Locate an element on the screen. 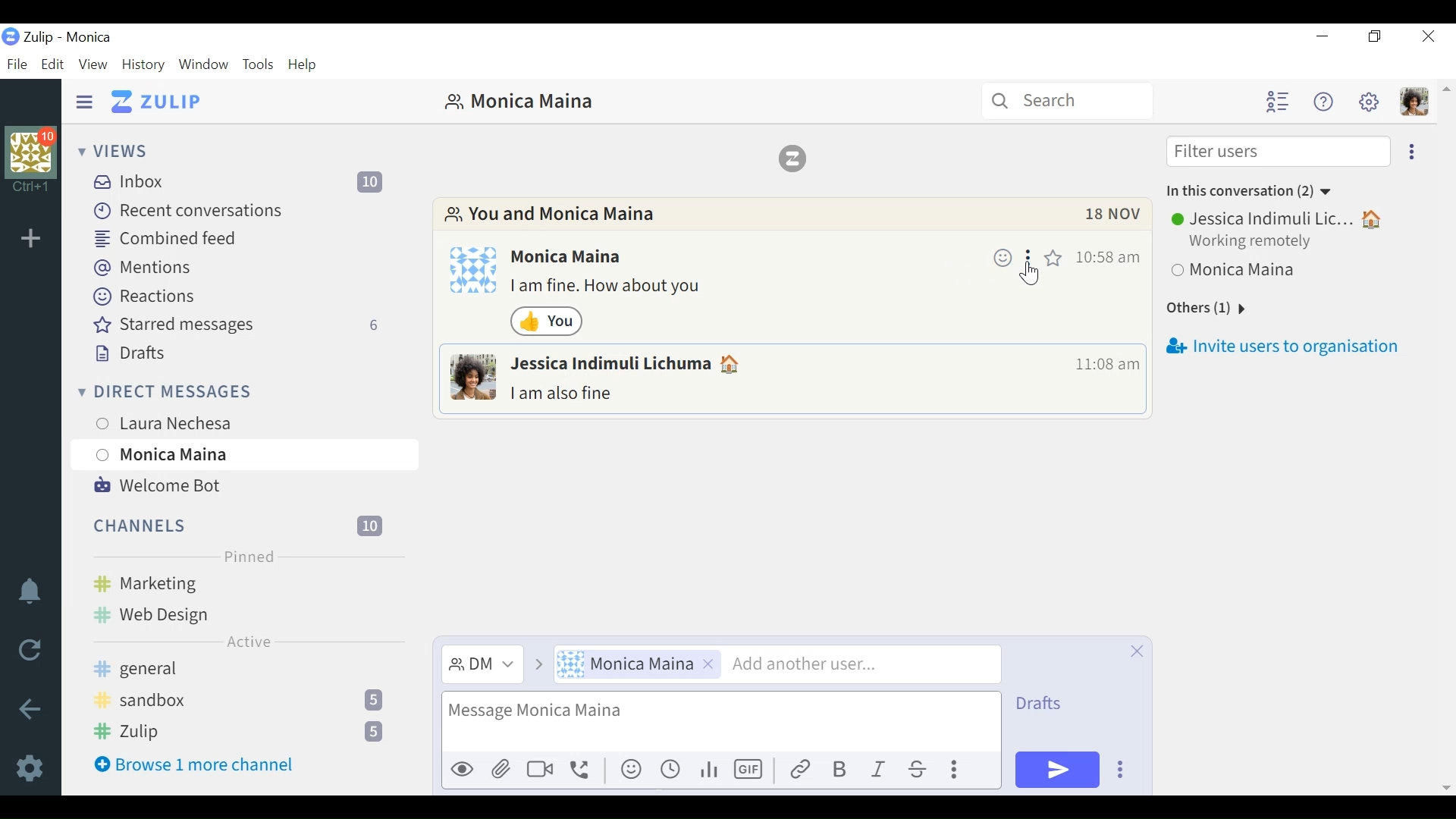 The height and width of the screenshot is (819, 1456). general is located at coordinates (240, 670).